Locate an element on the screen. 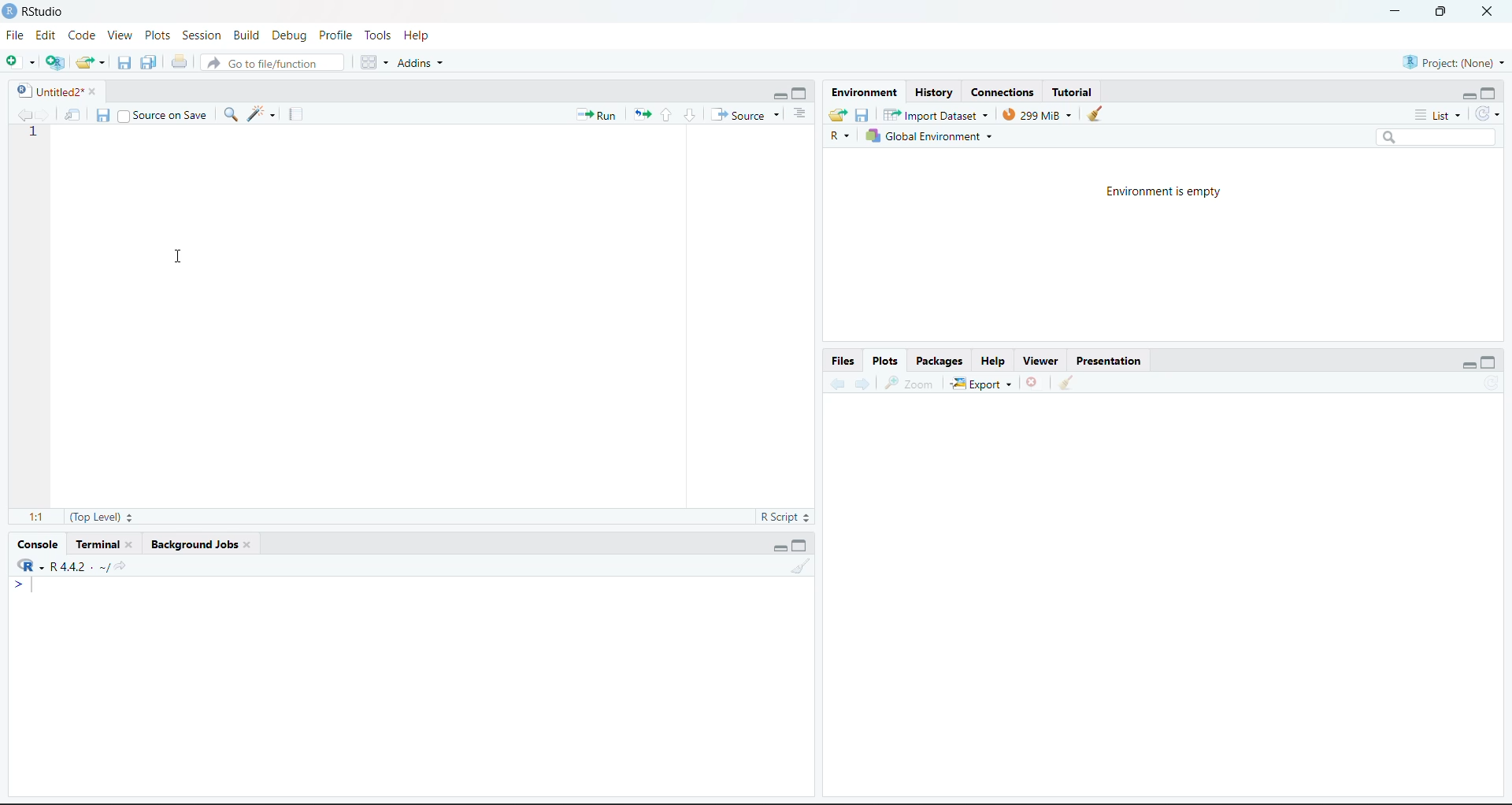  close is located at coordinates (95, 91).